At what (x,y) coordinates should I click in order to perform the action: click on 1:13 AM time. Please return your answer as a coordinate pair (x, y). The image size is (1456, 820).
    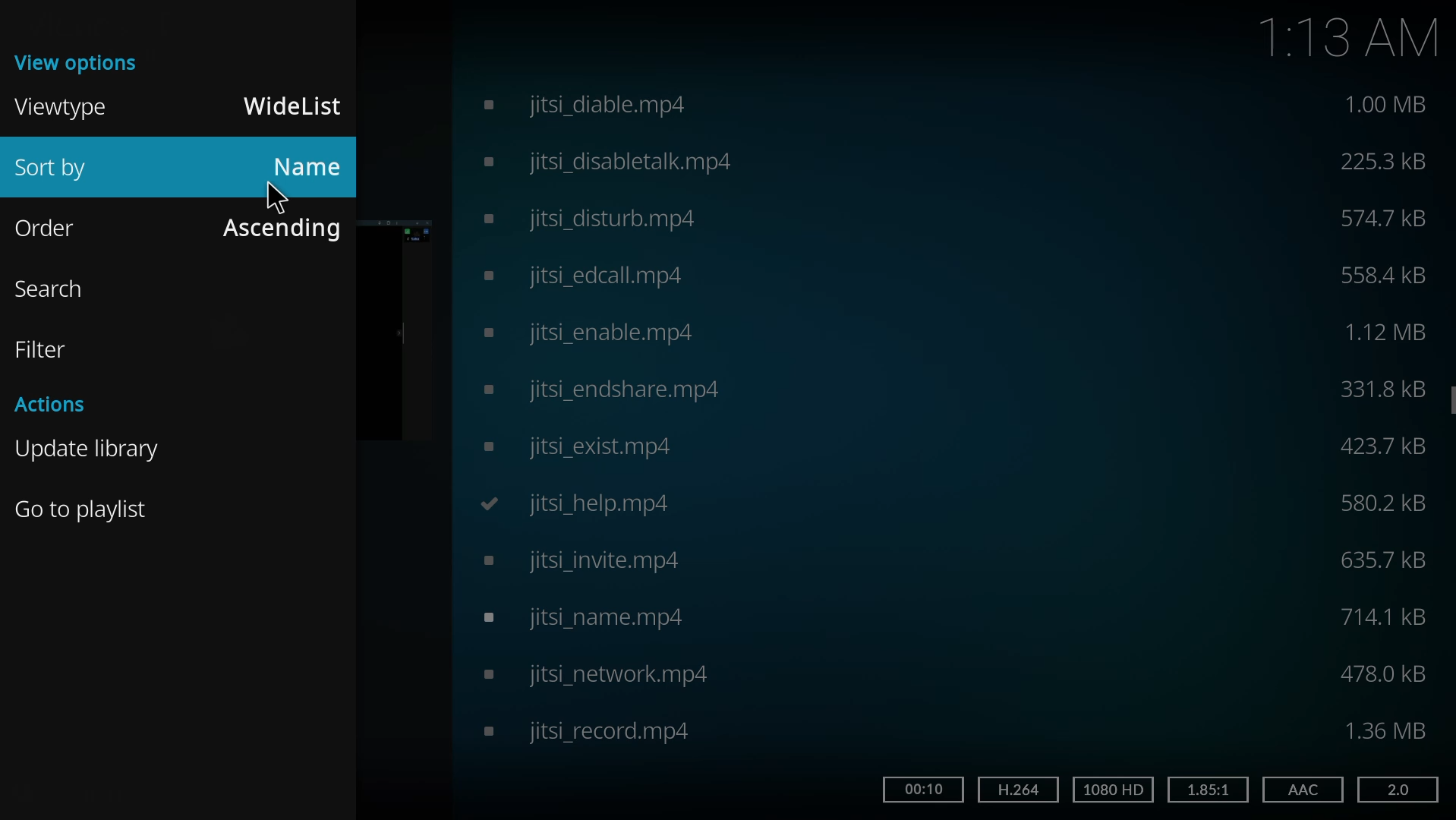
    Looking at the image, I should click on (1351, 39).